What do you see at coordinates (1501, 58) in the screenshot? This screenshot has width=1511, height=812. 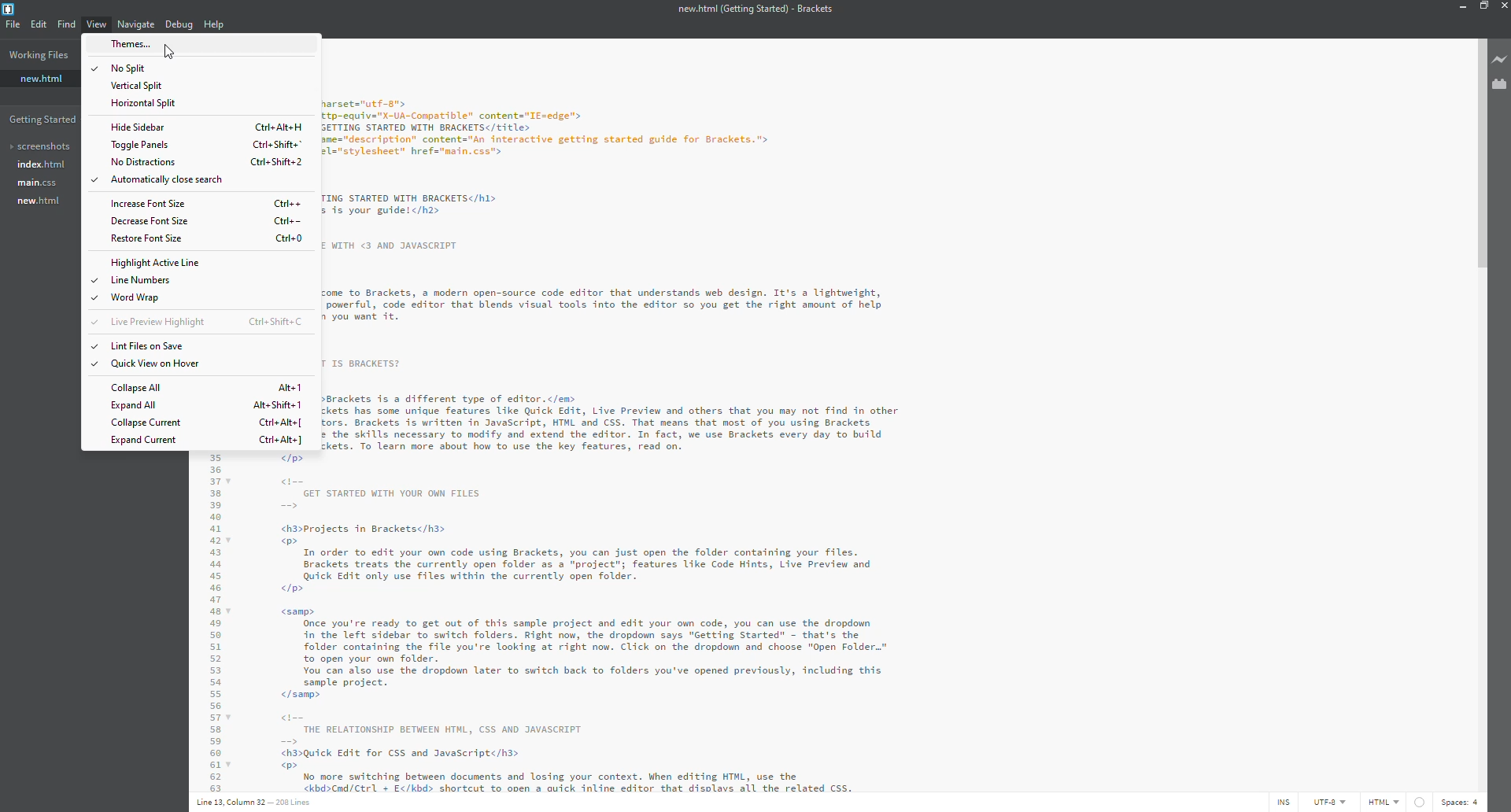 I see `live preview` at bounding box center [1501, 58].